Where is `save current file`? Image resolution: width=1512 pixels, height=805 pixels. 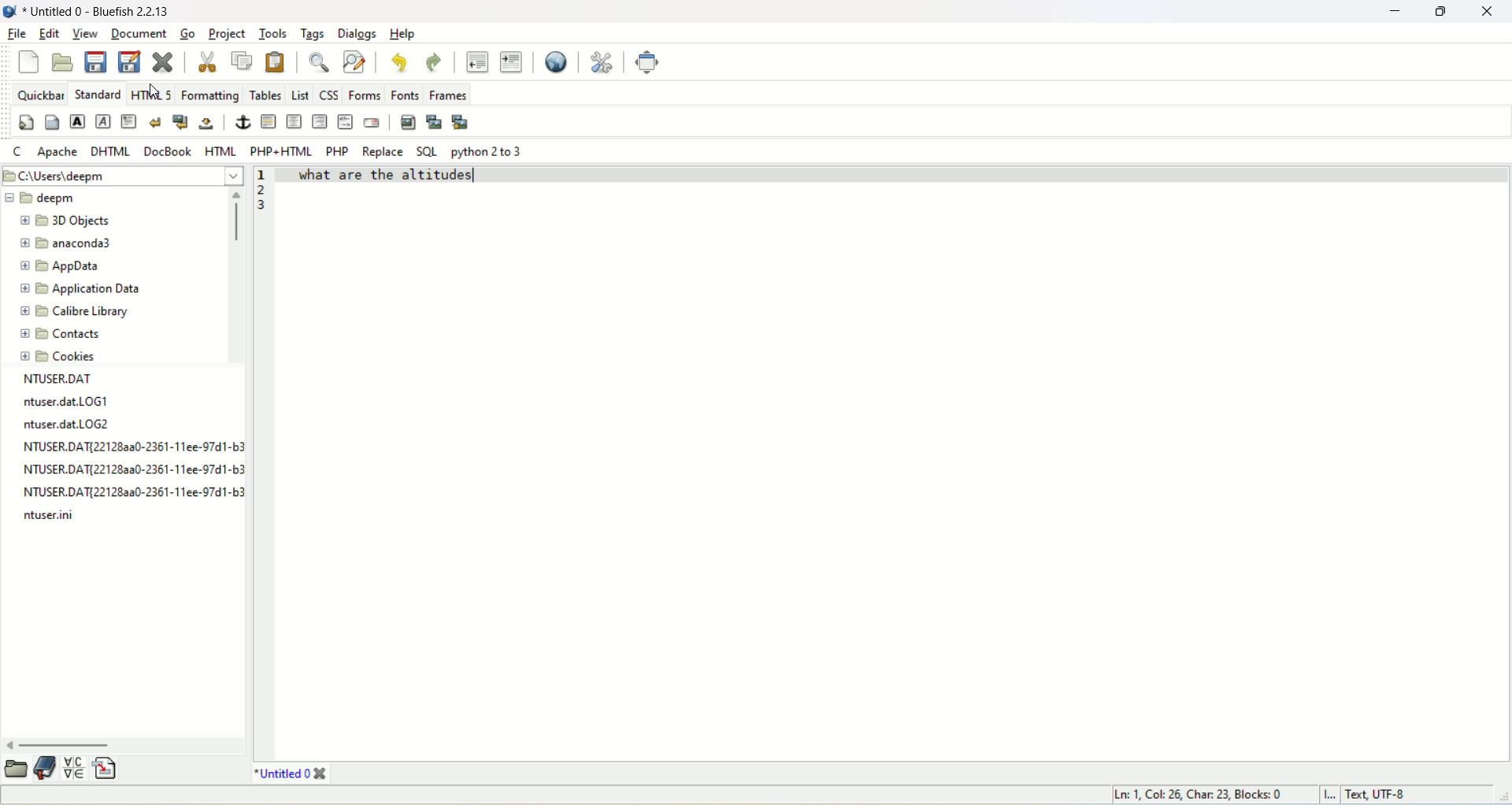
save current file is located at coordinates (97, 61).